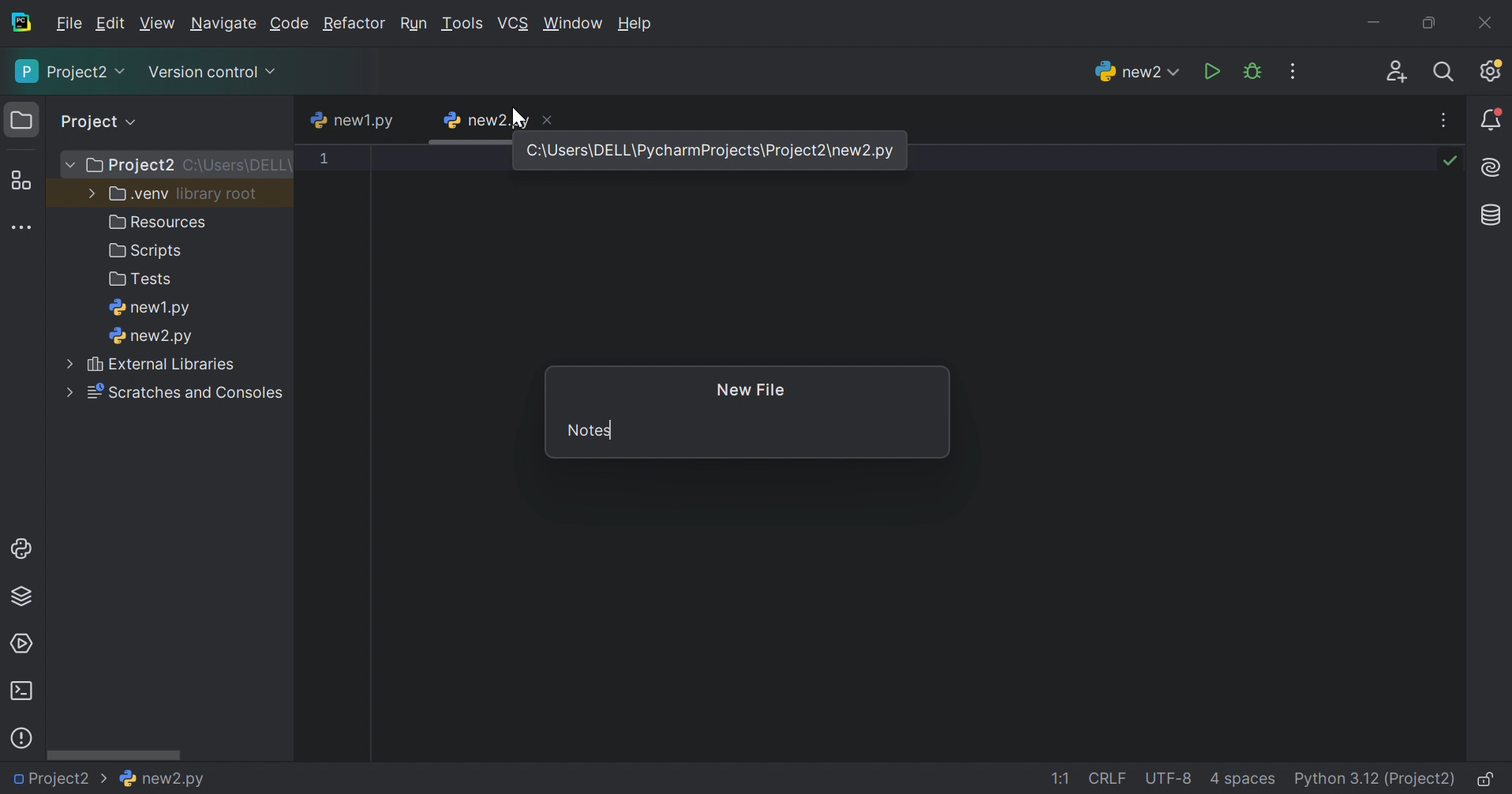  Describe the element at coordinates (1110, 780) in the screenshot. I see `CRLF` at that location.